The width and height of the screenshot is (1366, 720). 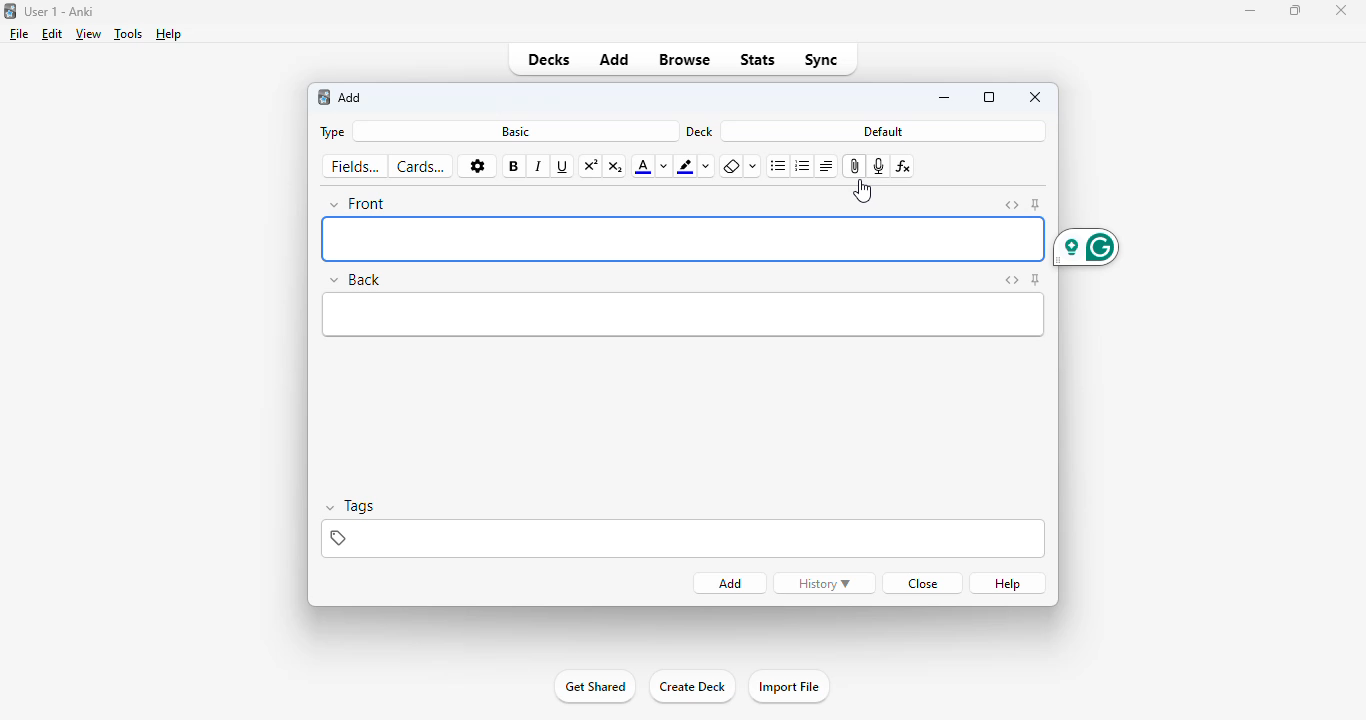 I want to click on attach pictures/audio/video, so click(x=854, y=167).